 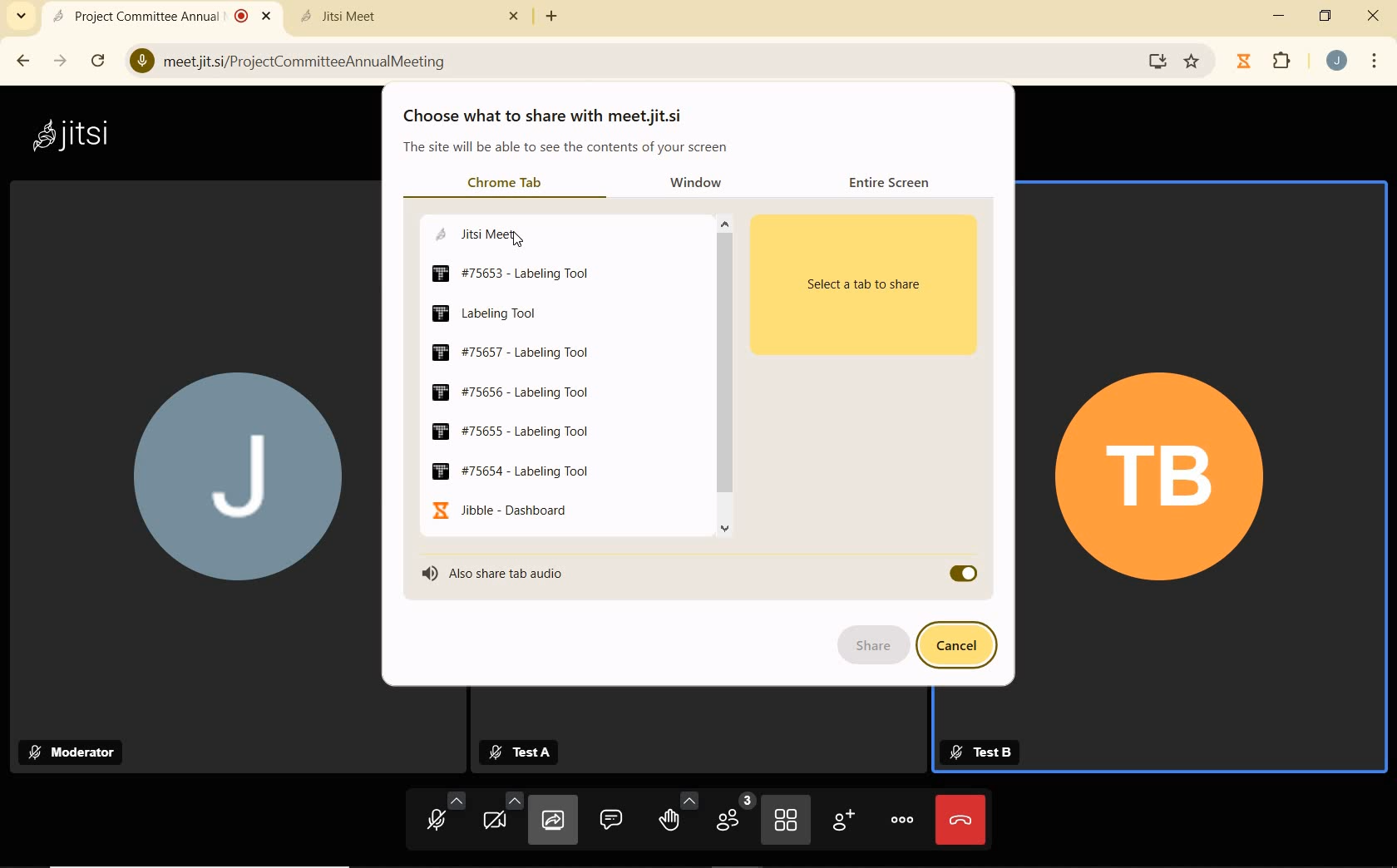 What do you see at coordinates (77, 752) in the screenshot?
I see `MODERATOR` at bounding box center [77, 752].